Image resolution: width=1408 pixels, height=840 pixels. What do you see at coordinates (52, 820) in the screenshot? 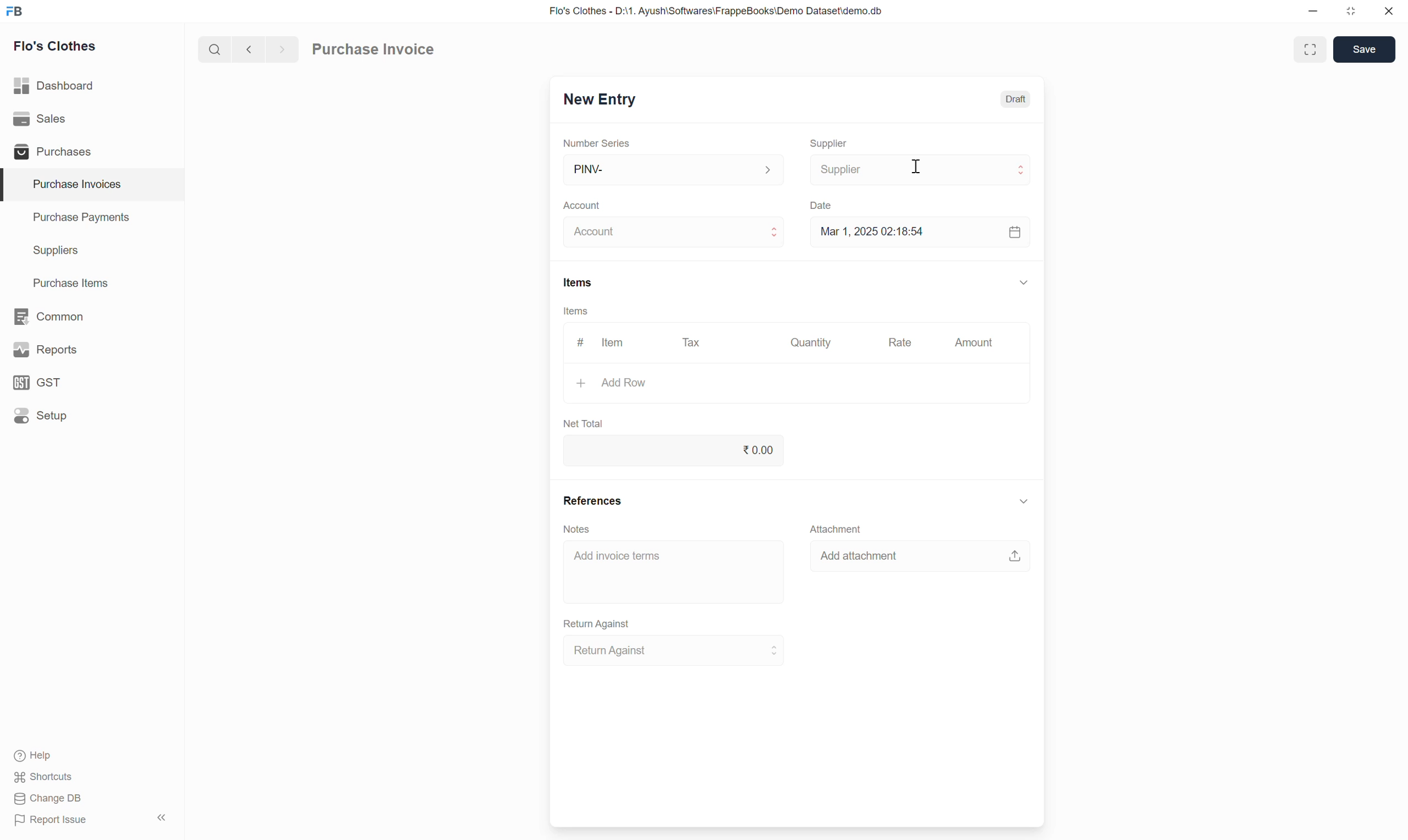
I see `Report Issue` at bounding box center [52, 820].